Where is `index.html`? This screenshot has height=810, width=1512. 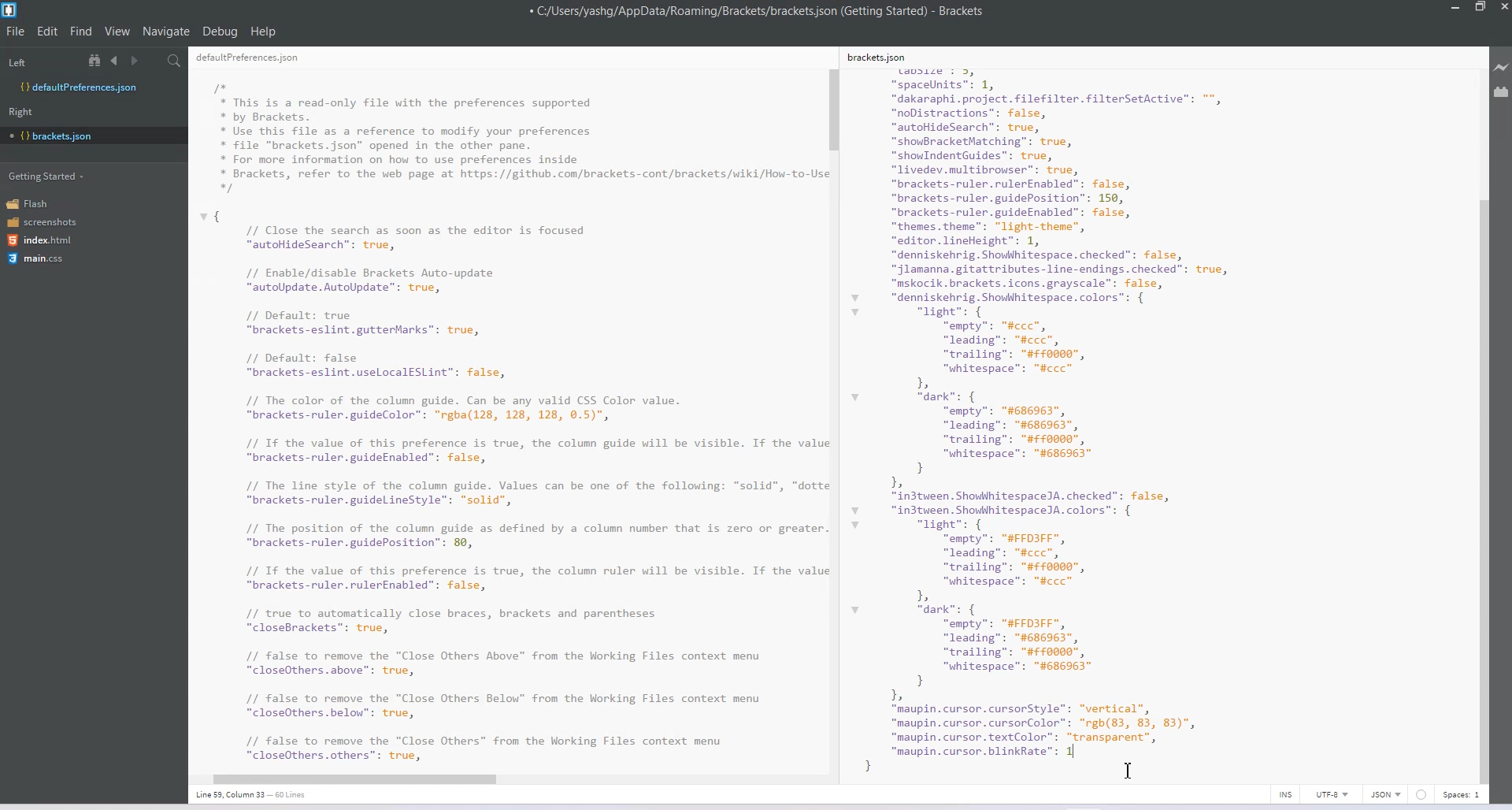 index.html is located at coordinates (45, 240).